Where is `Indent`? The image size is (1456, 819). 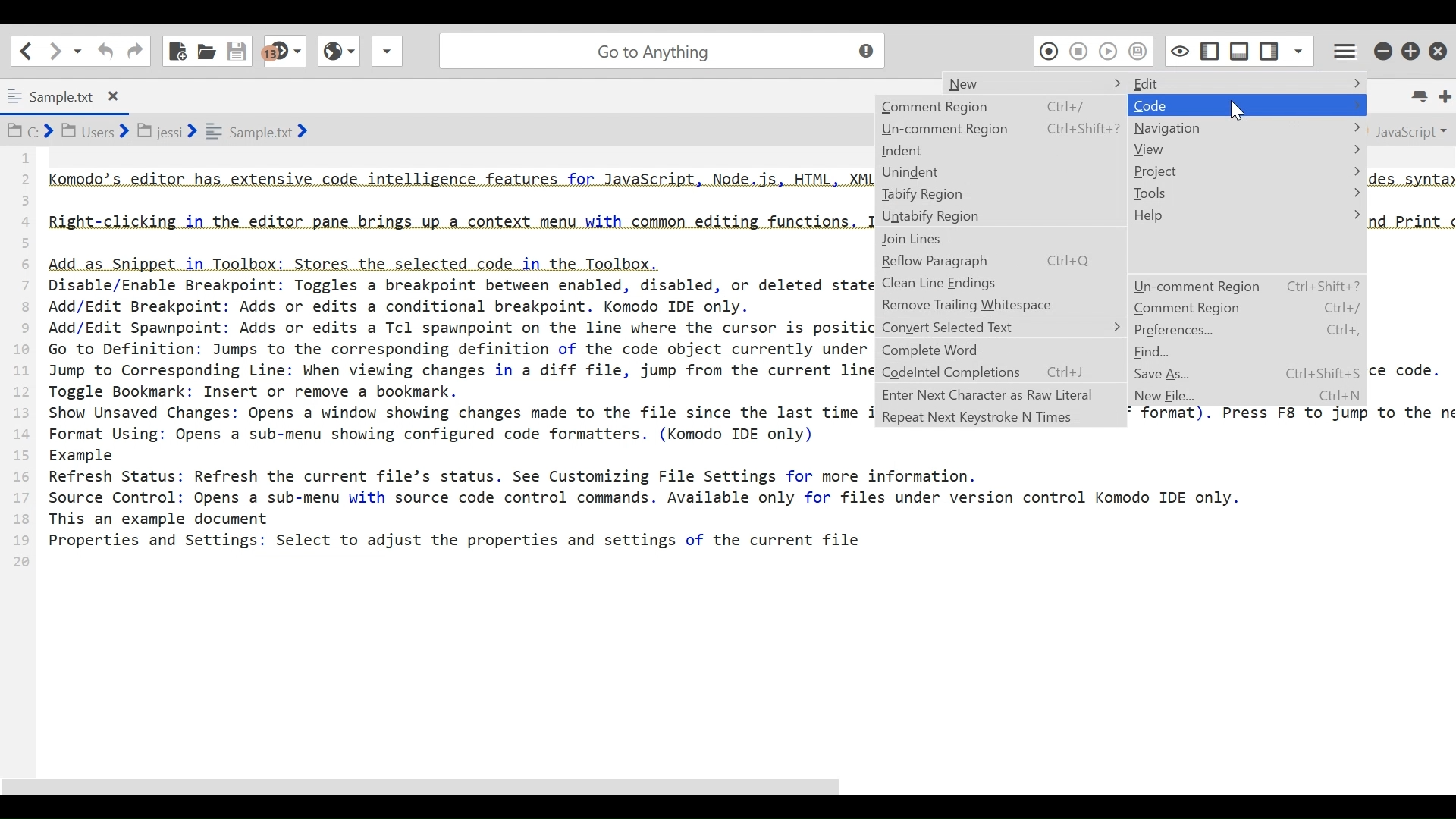
Indent is located at coordinates (999, 151).